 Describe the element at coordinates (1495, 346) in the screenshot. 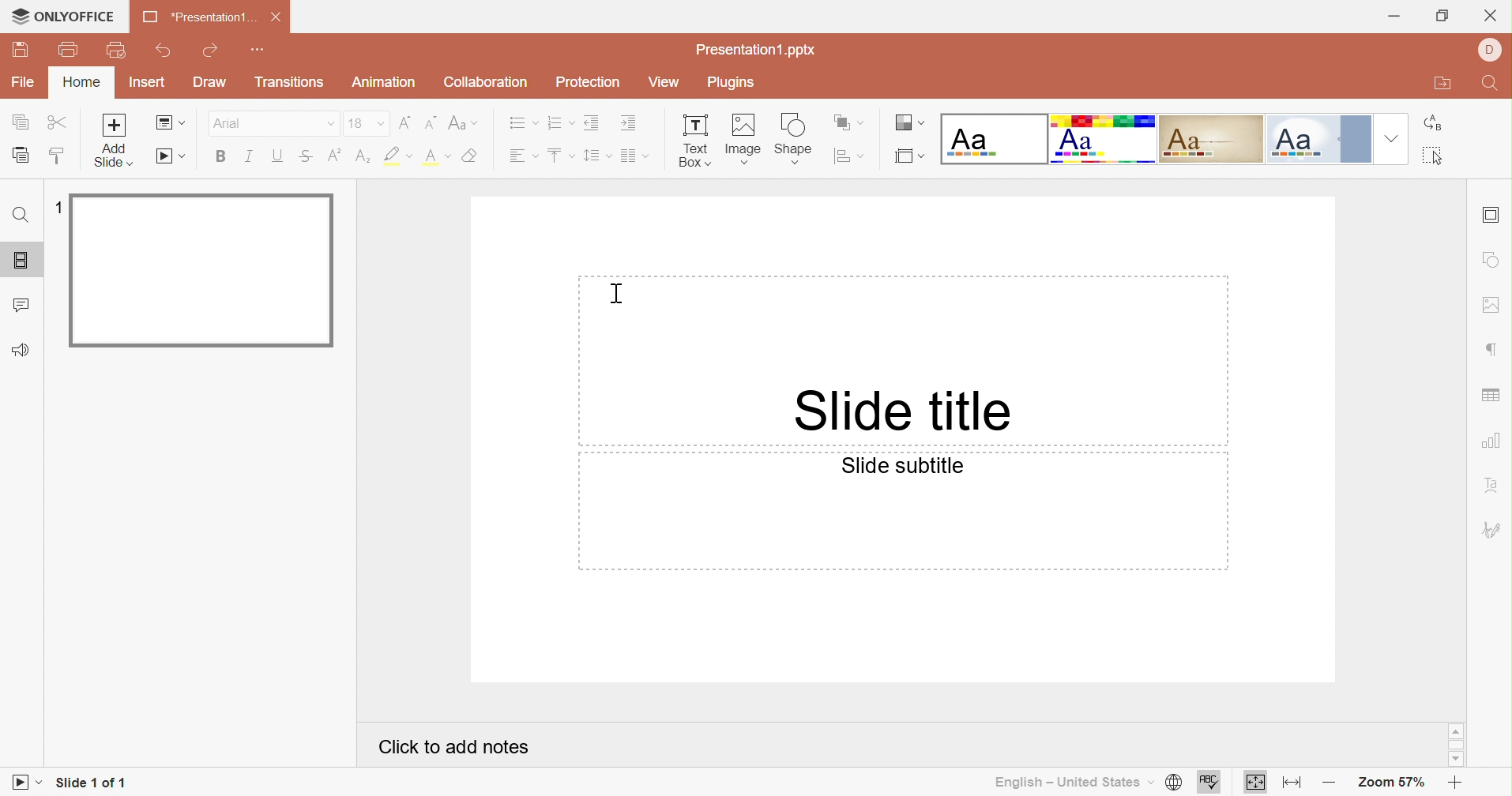

I see `paragraph settings` at that location.